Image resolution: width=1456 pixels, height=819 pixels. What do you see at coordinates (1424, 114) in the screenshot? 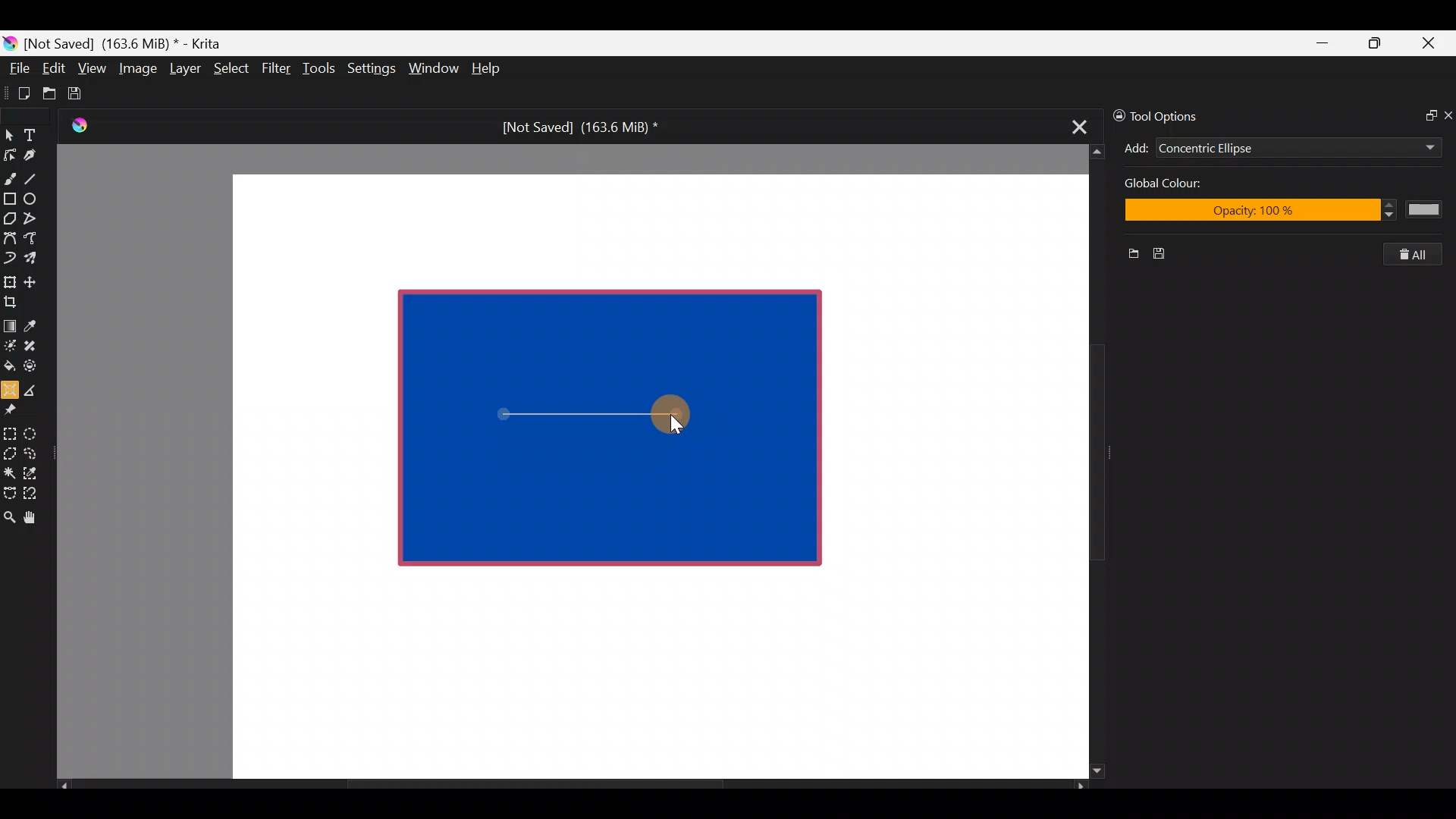
I see `Float docker` at bounding box center [1424, 114].